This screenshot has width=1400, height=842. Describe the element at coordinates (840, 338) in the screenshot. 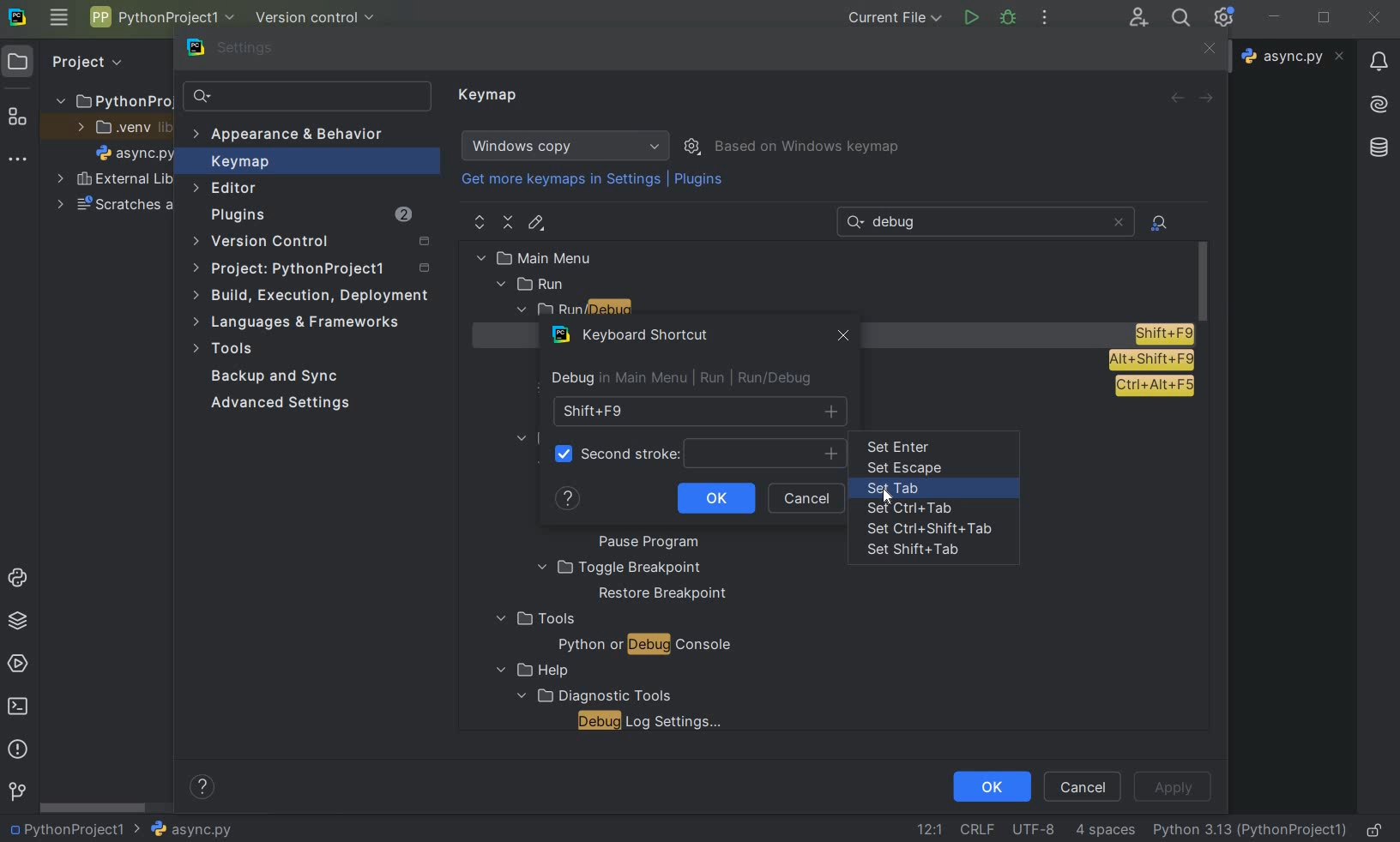

I see `close` at that location.